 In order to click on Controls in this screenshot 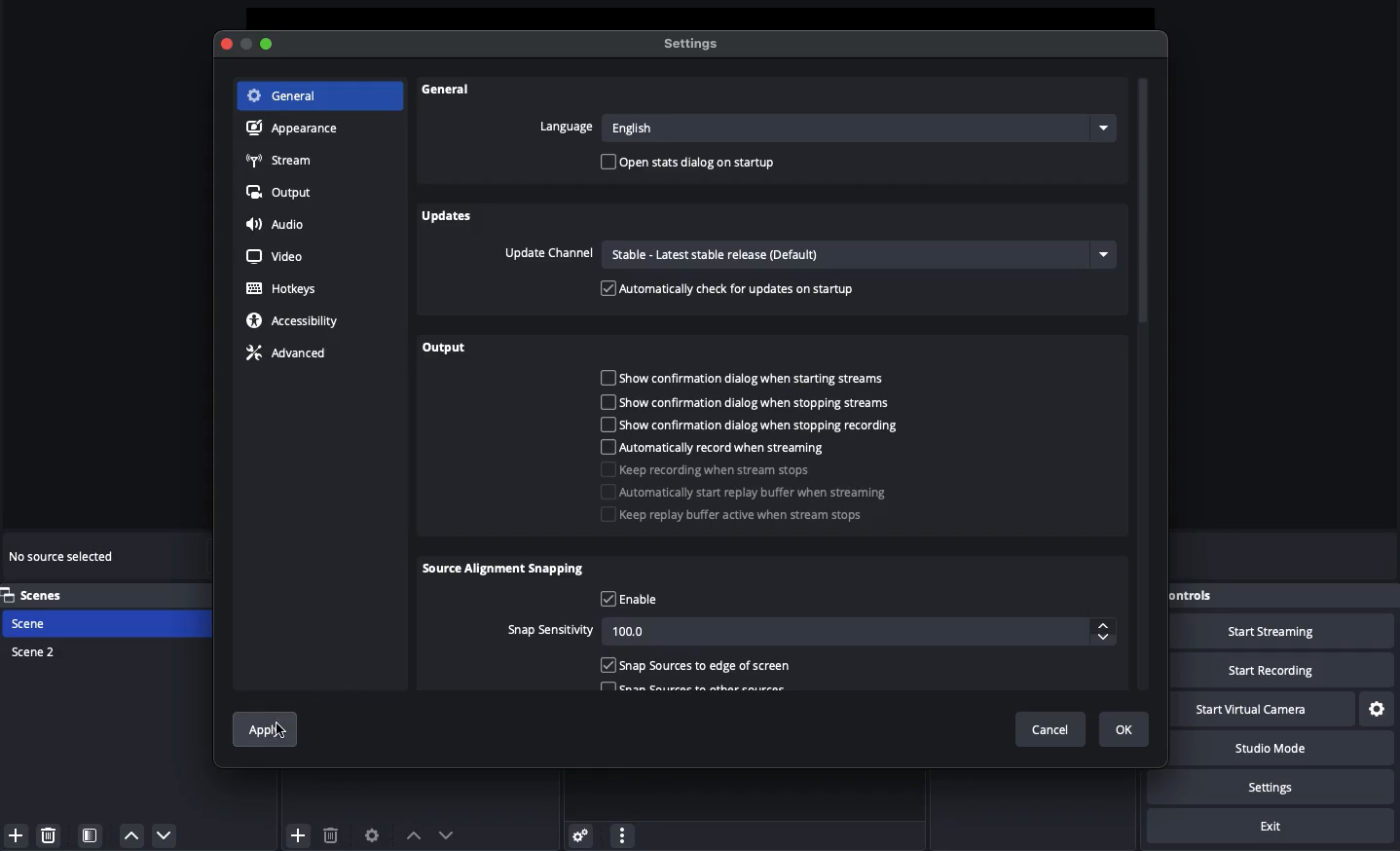, I will do `click(1197, 593)`.